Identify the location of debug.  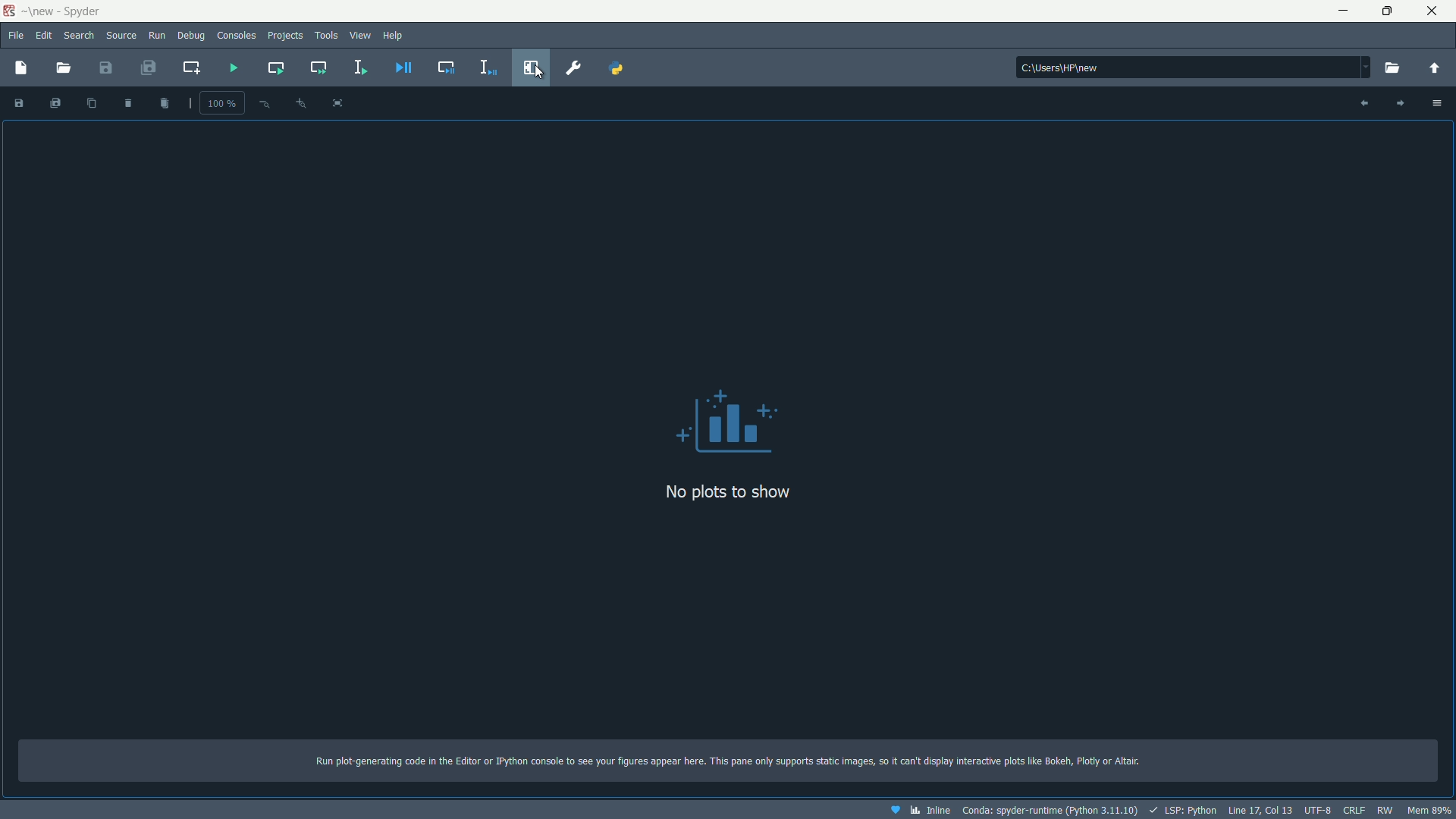
(193, 35).